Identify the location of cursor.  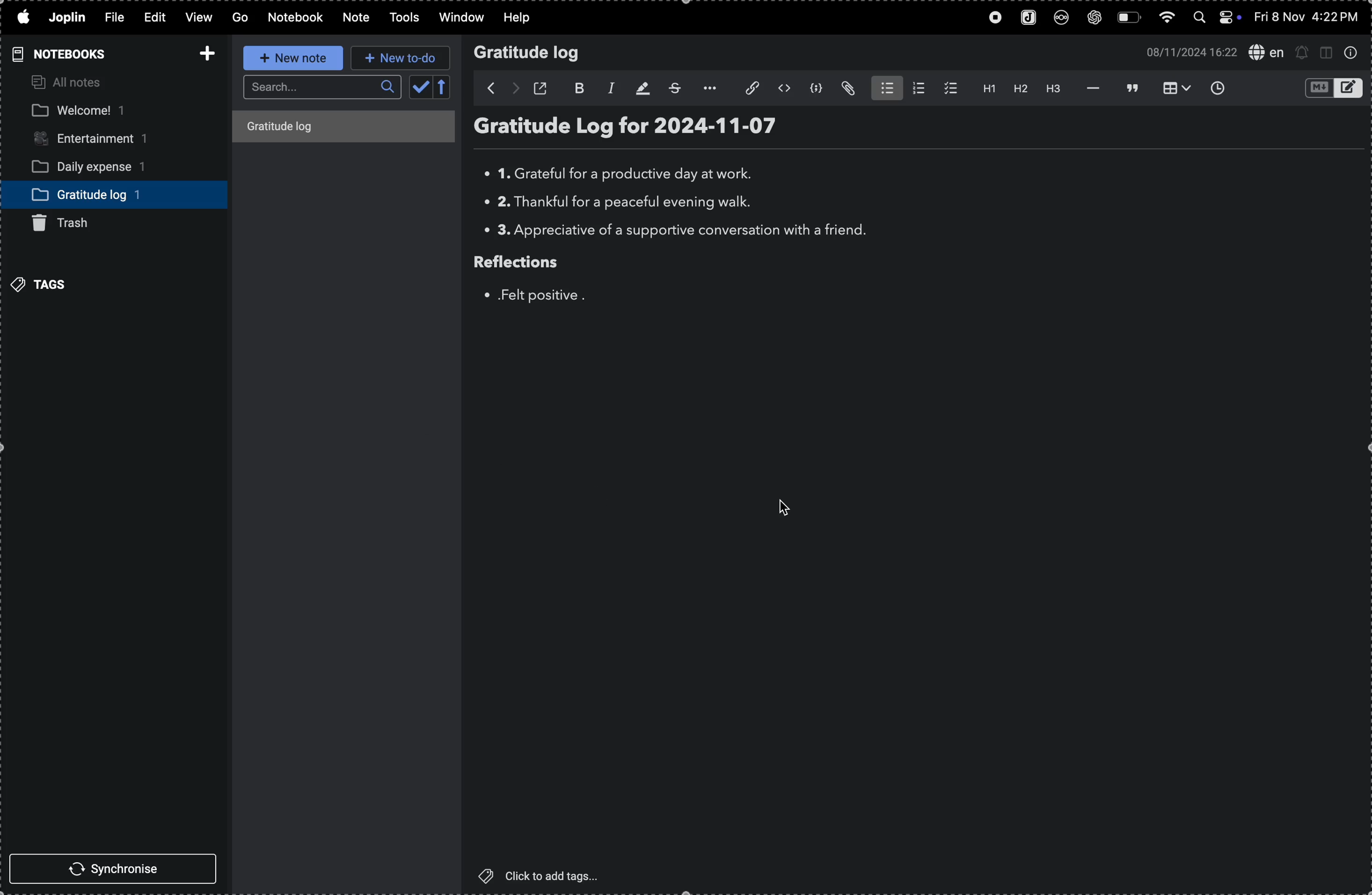
(783, 506).